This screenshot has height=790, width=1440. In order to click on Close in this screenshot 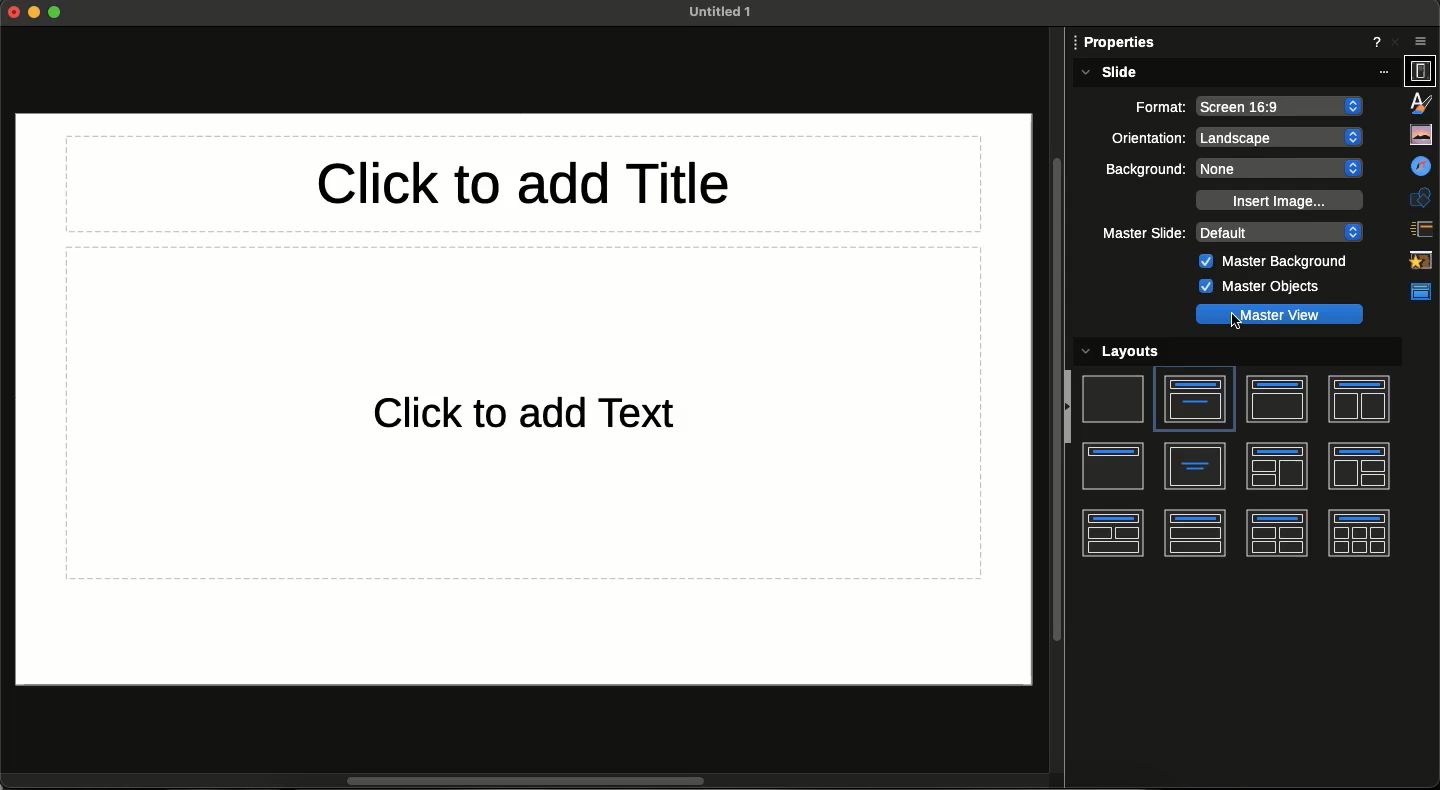, I will do `click(1397, 43)`.